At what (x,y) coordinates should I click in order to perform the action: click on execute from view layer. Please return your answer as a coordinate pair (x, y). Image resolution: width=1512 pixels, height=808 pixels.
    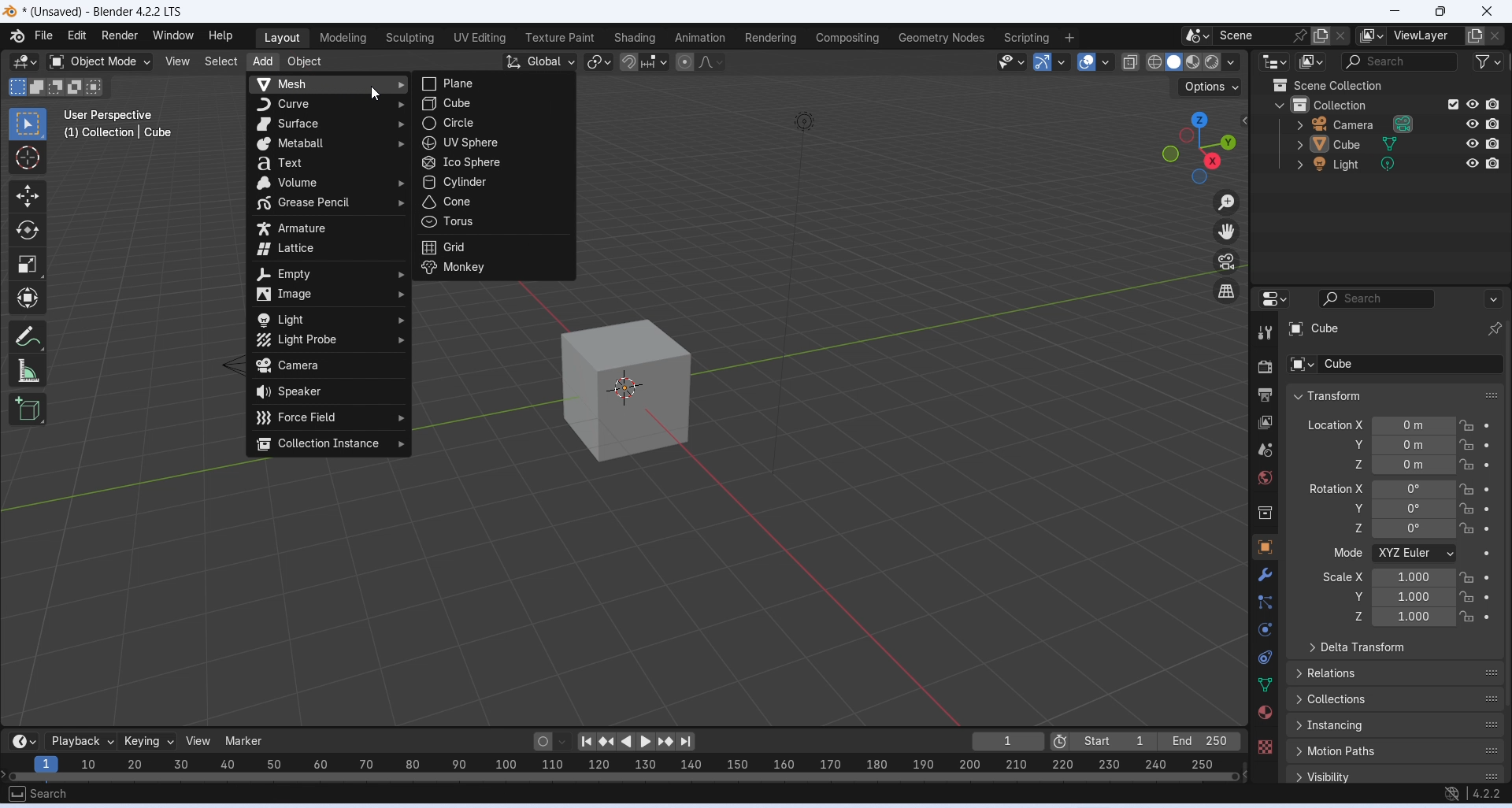
    Looking at the image, I should click on (1453, 103).